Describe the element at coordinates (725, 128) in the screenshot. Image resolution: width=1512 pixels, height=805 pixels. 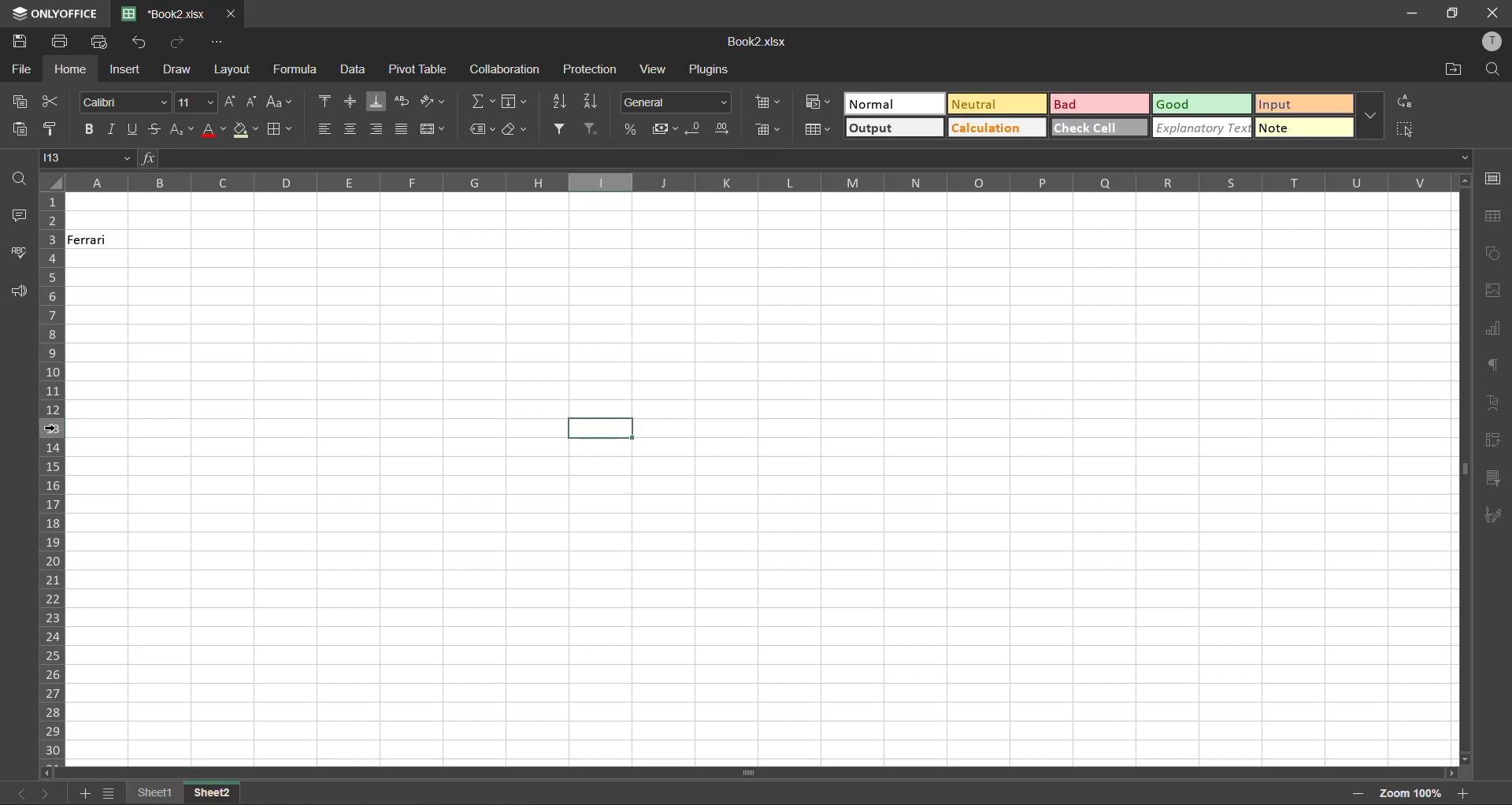
I see `increase decimal` at that location.